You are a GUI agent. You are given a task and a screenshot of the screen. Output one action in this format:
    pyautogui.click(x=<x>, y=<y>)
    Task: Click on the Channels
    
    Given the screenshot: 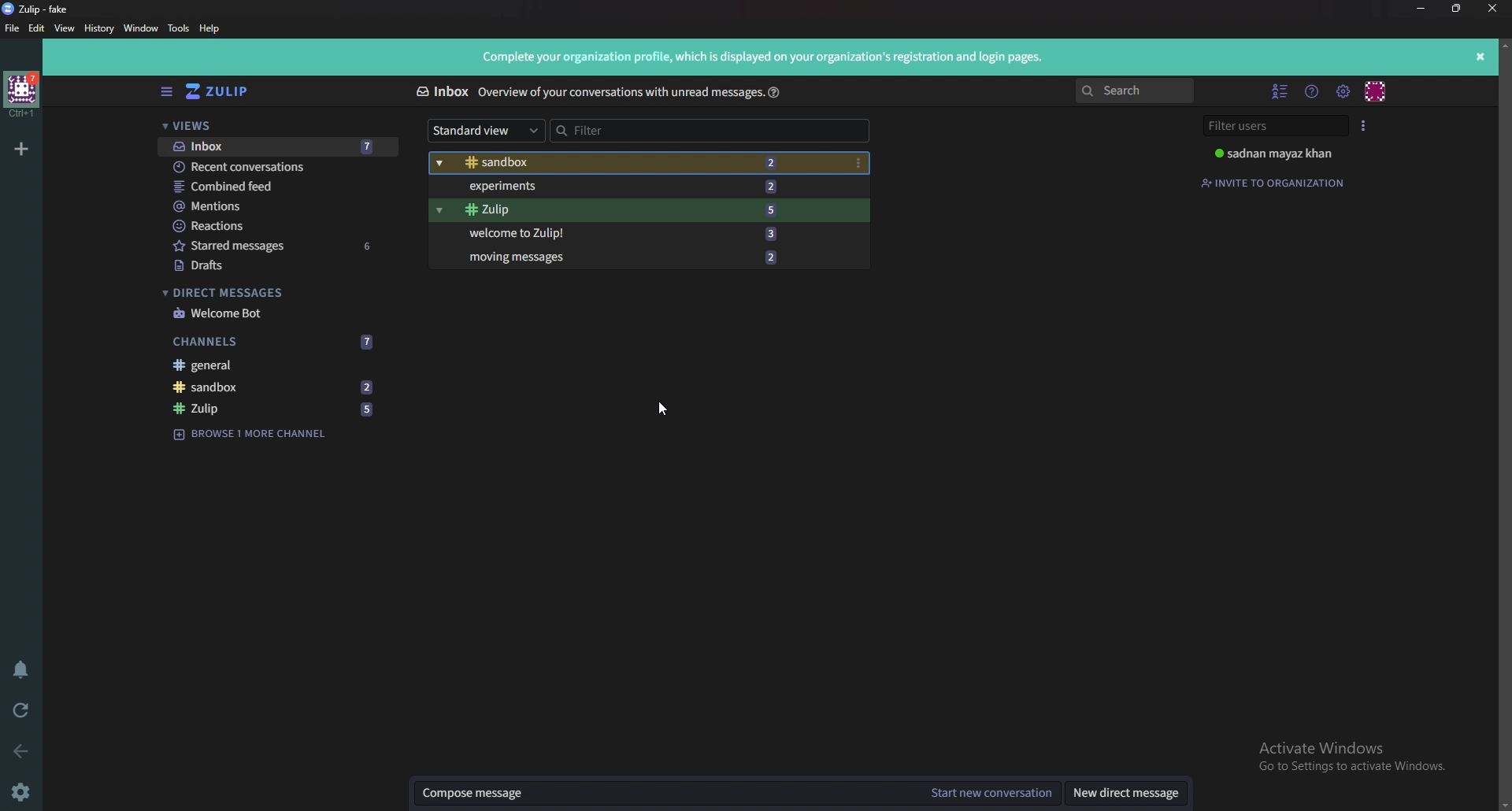 What is the action you would take?
    pyautogui.click(x=279, y=341)
    